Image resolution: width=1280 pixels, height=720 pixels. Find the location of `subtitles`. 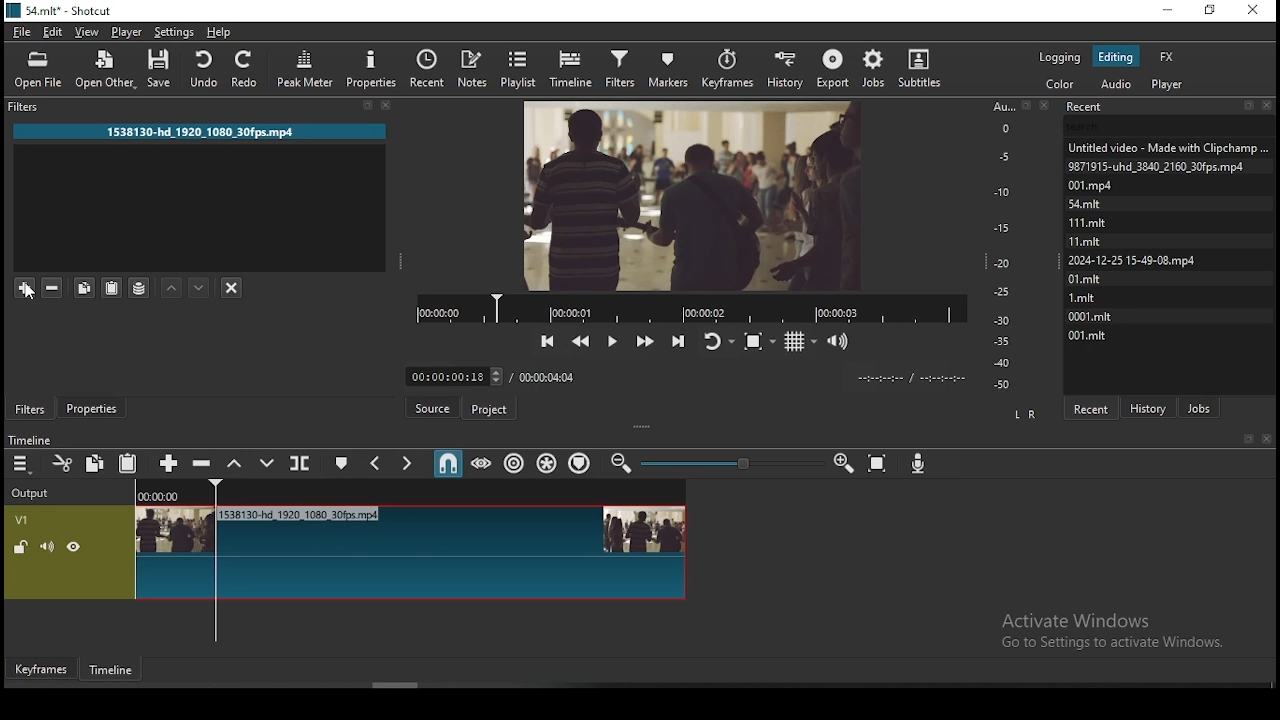

subtitles is located at coordinates (920, 69).